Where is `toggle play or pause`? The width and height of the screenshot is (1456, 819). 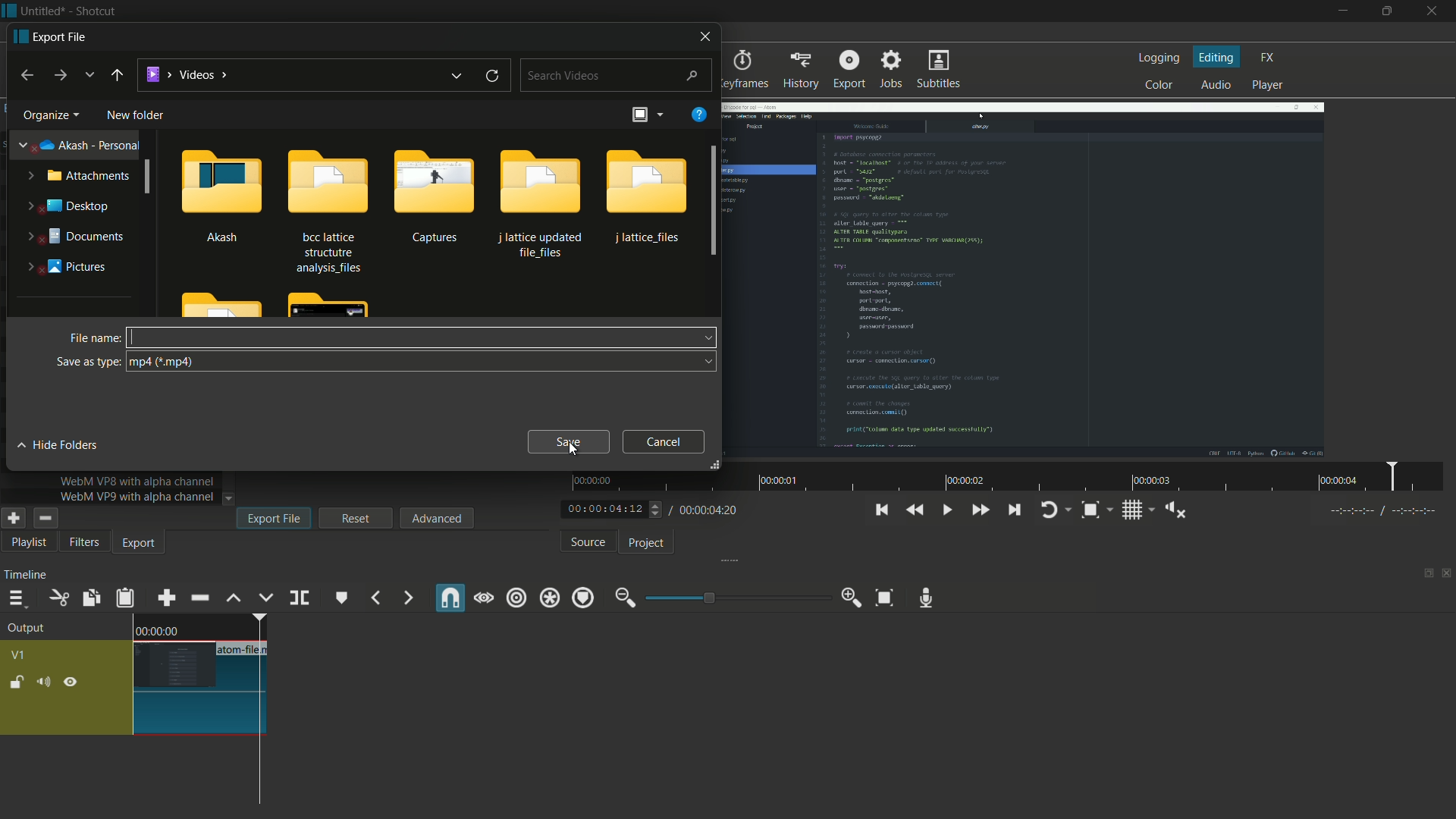 toggle play or pause is located at coordinates (948, 510).